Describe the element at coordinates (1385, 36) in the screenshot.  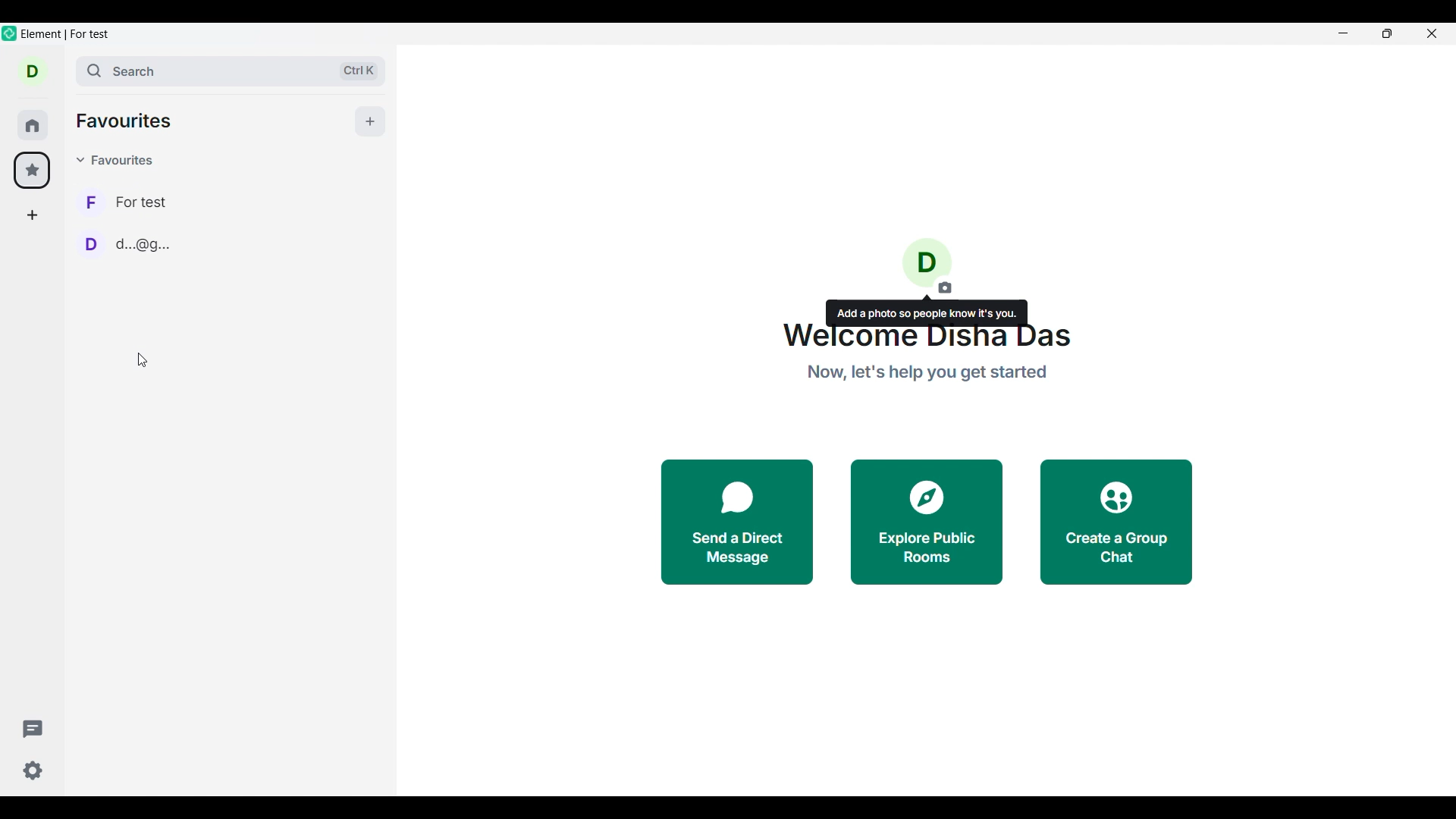
I see `maximize` at that location.